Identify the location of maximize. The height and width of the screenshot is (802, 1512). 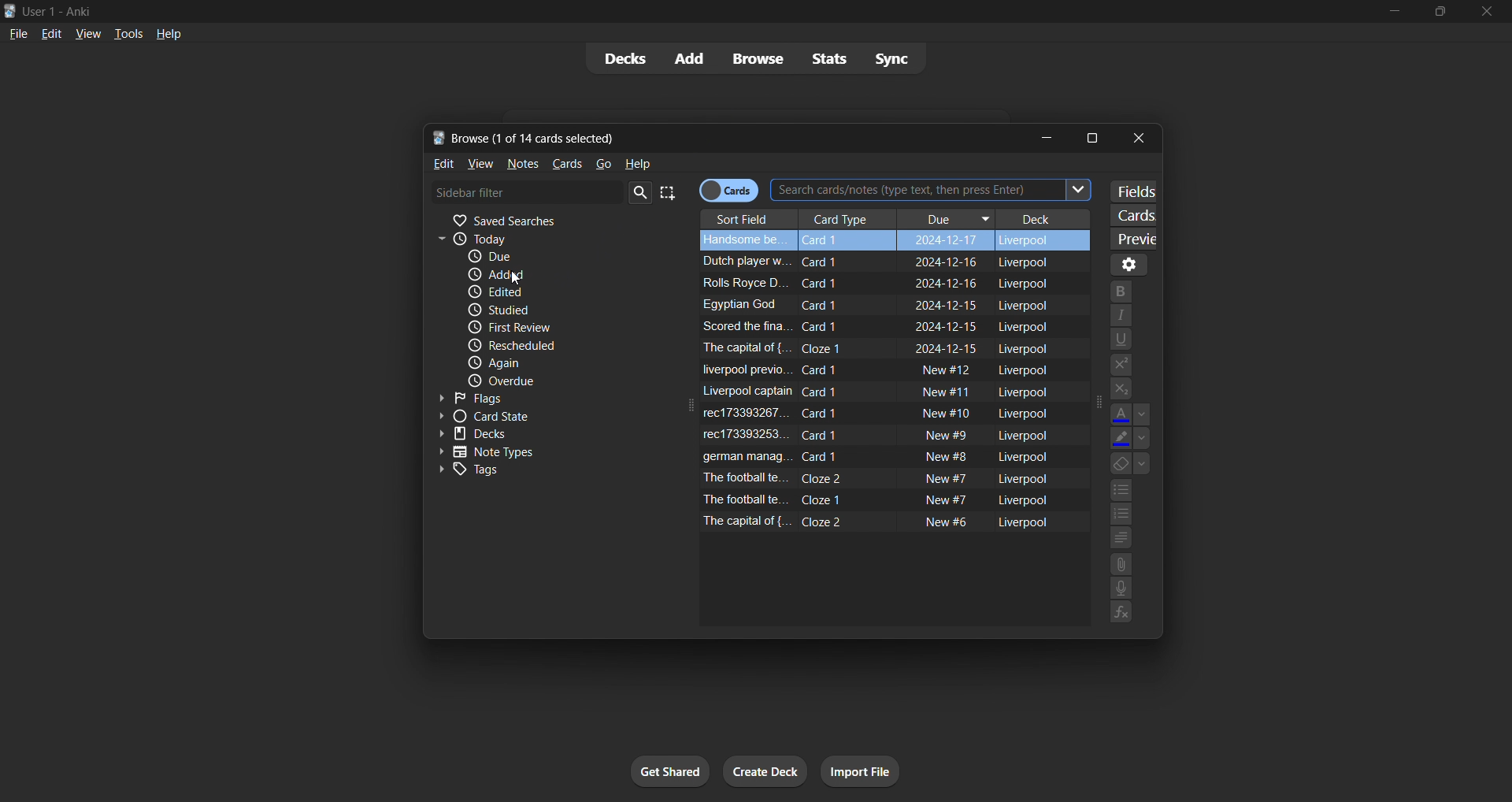
(1097, 136).